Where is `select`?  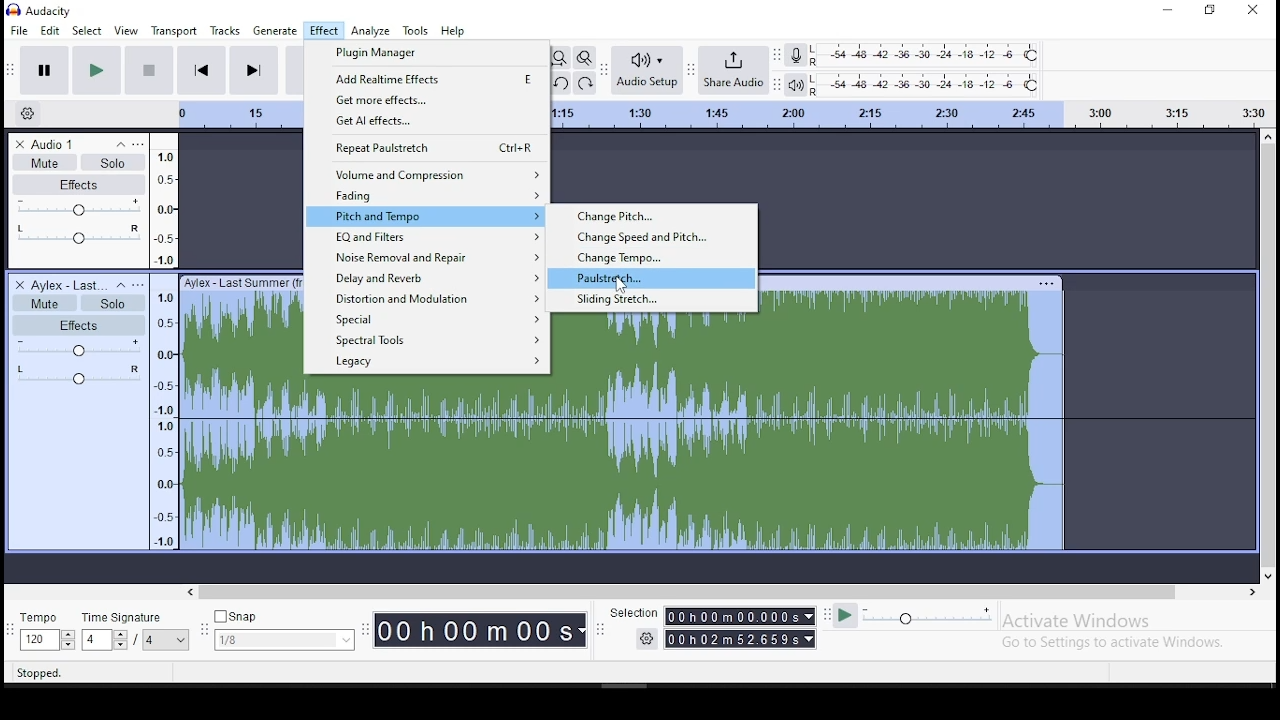
select is located at coordinates (85, 30).